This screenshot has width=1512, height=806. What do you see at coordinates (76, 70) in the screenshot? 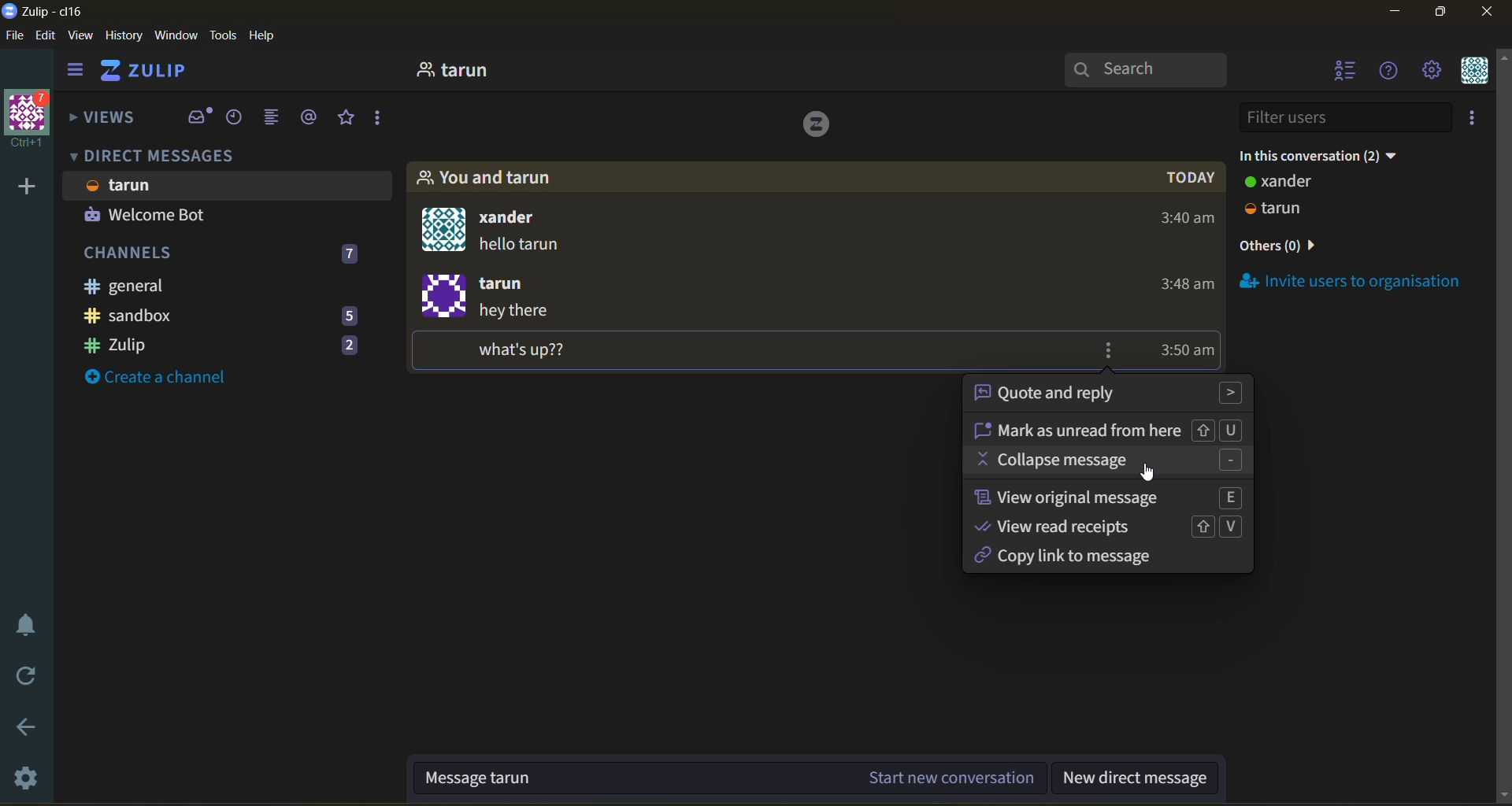
I see `hide left side bar` at bounding box center [76, 70].